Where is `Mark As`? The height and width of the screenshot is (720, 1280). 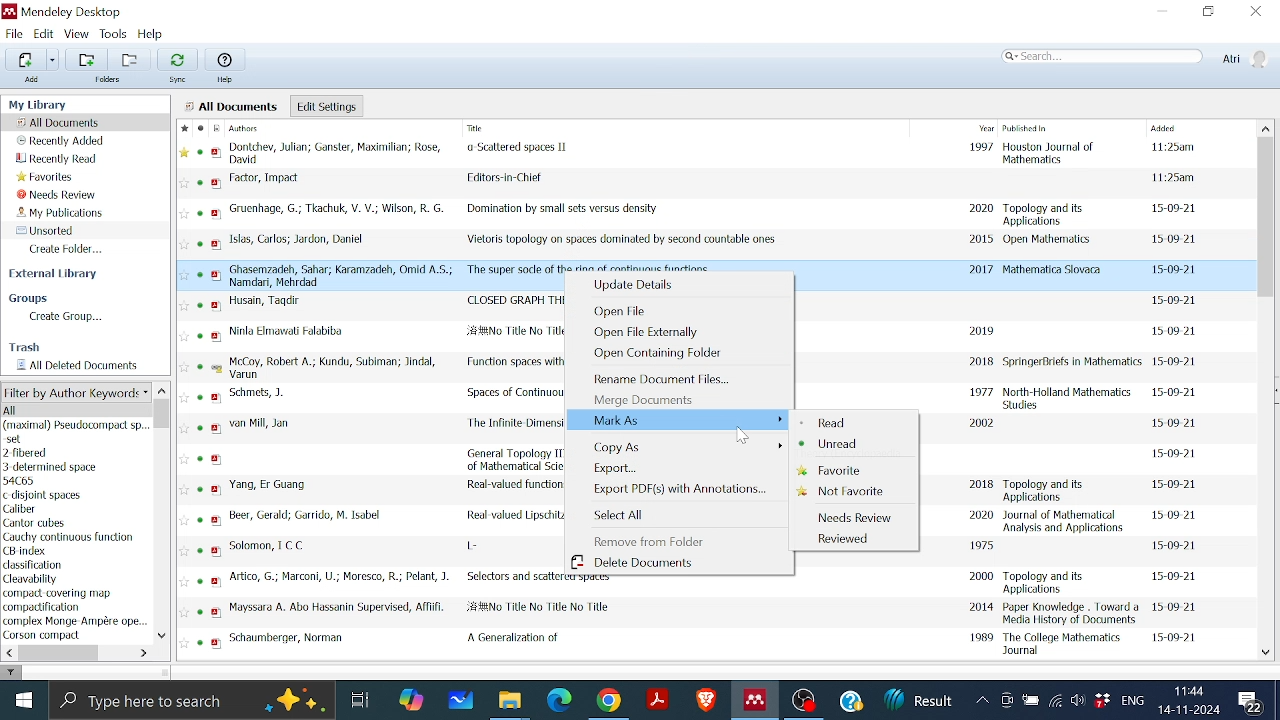
Mark As is located at coordinates (680, 421).